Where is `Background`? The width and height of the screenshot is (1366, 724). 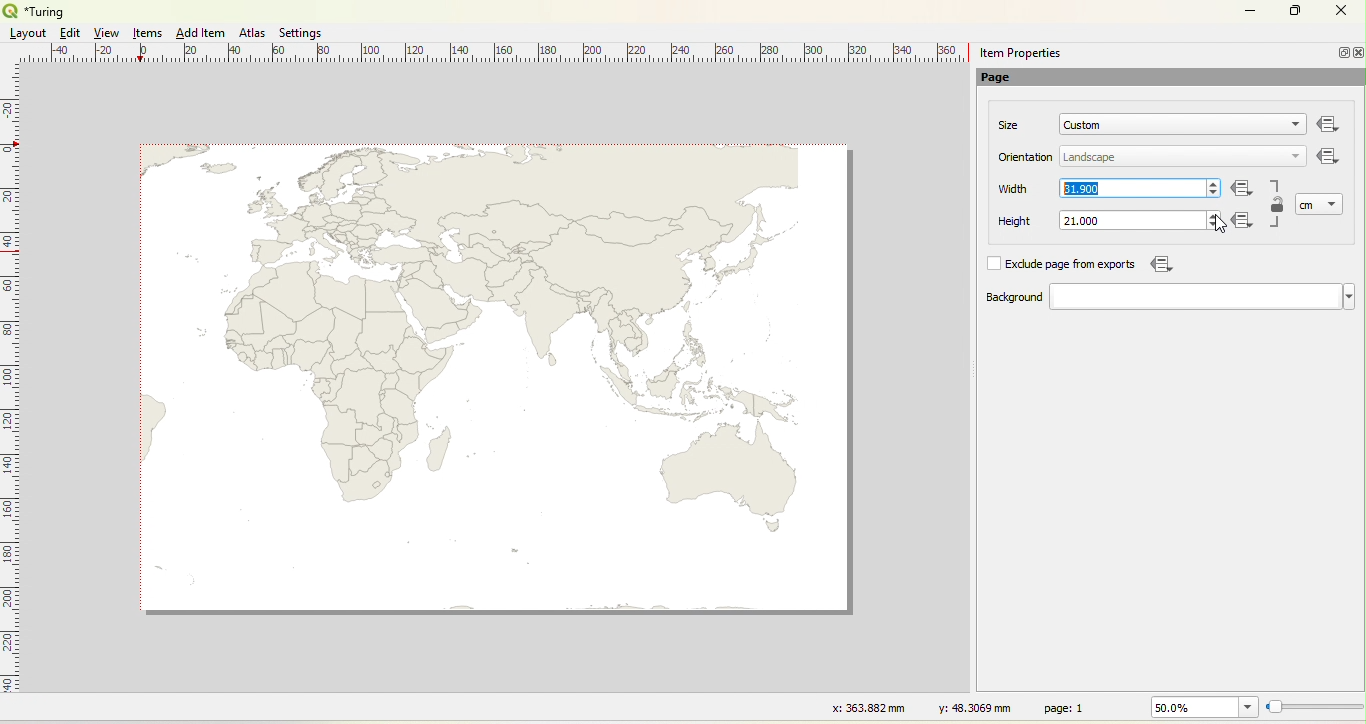
Background is located at coordinates (994, 298).